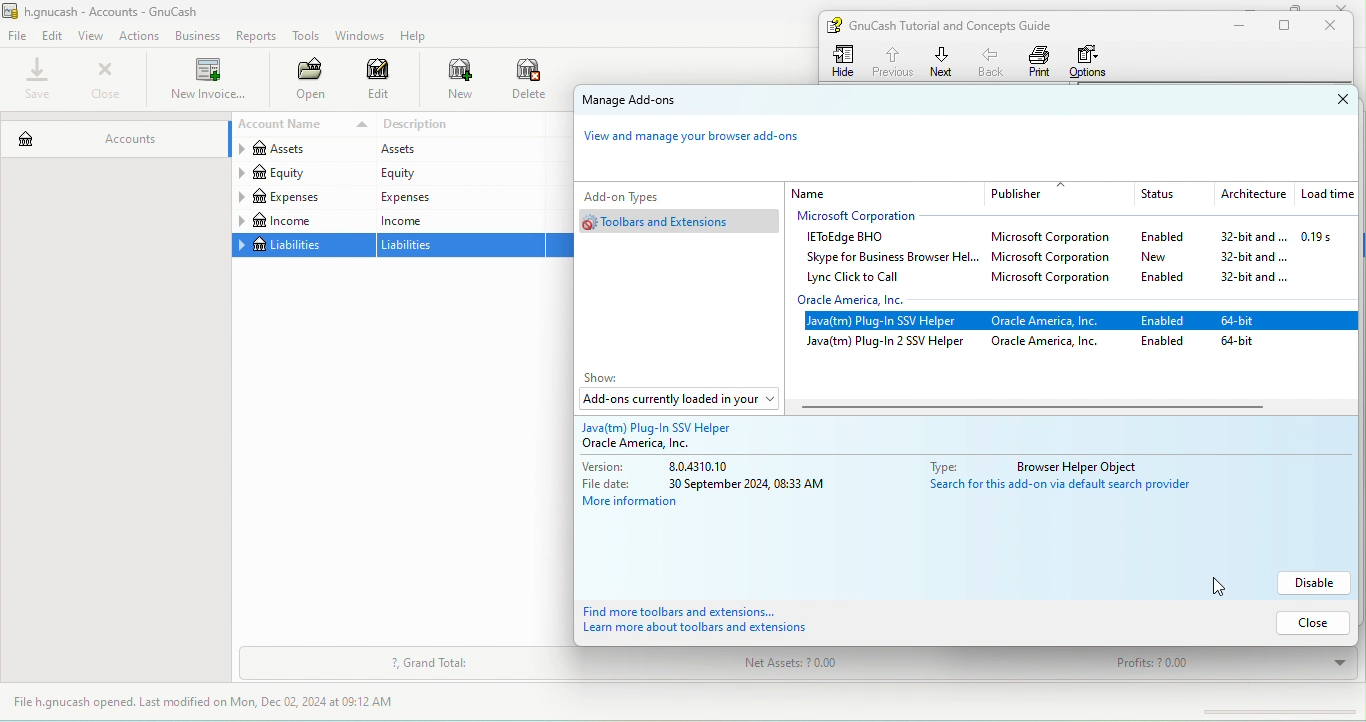  Describe the element at coordinates (608, 378) in the screenshot. I see `show` at that location.